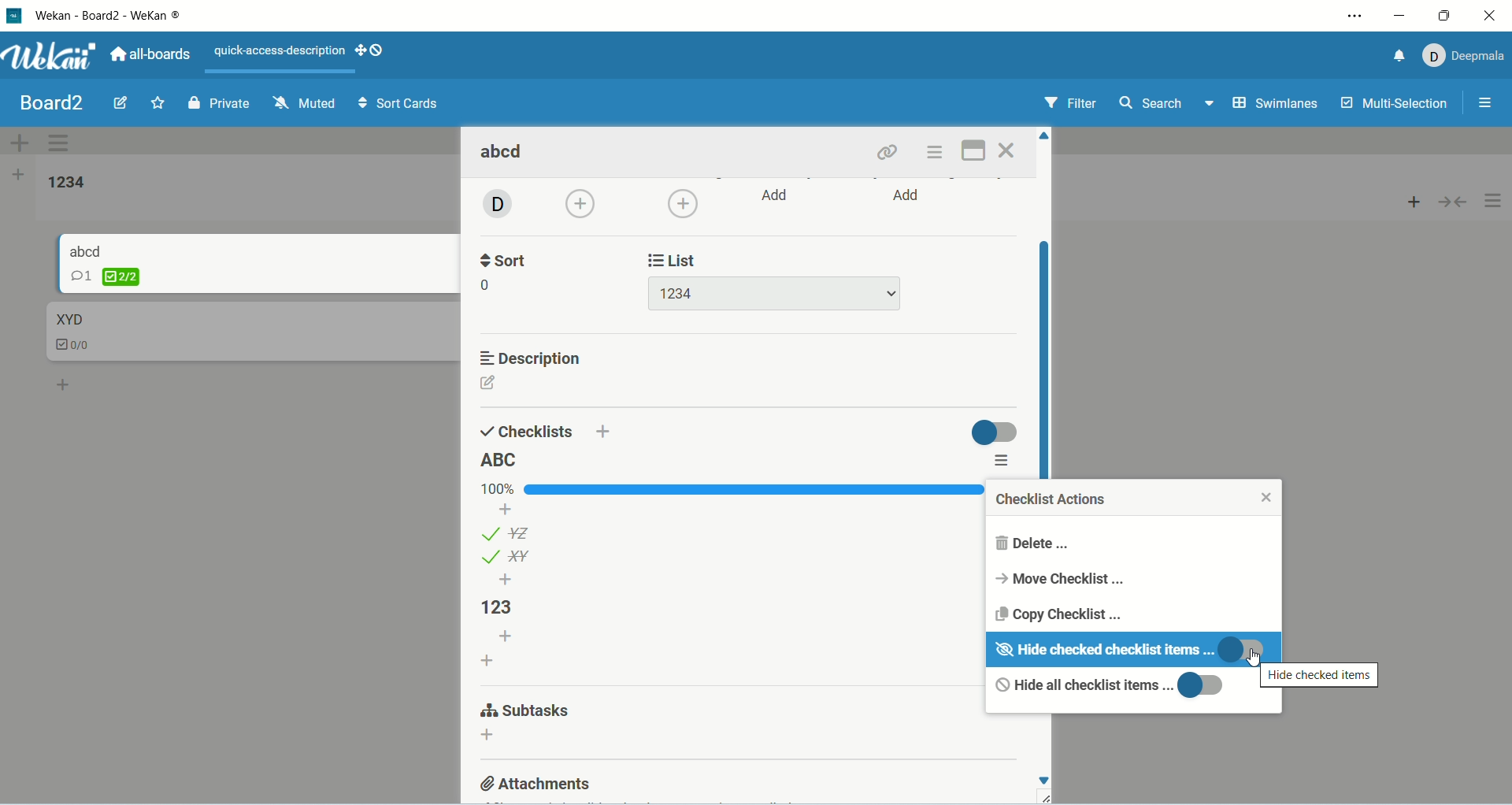  What do you see at coordinates (487, 737) in the screenshot?
I see `add` at bounding box center [487, 737].